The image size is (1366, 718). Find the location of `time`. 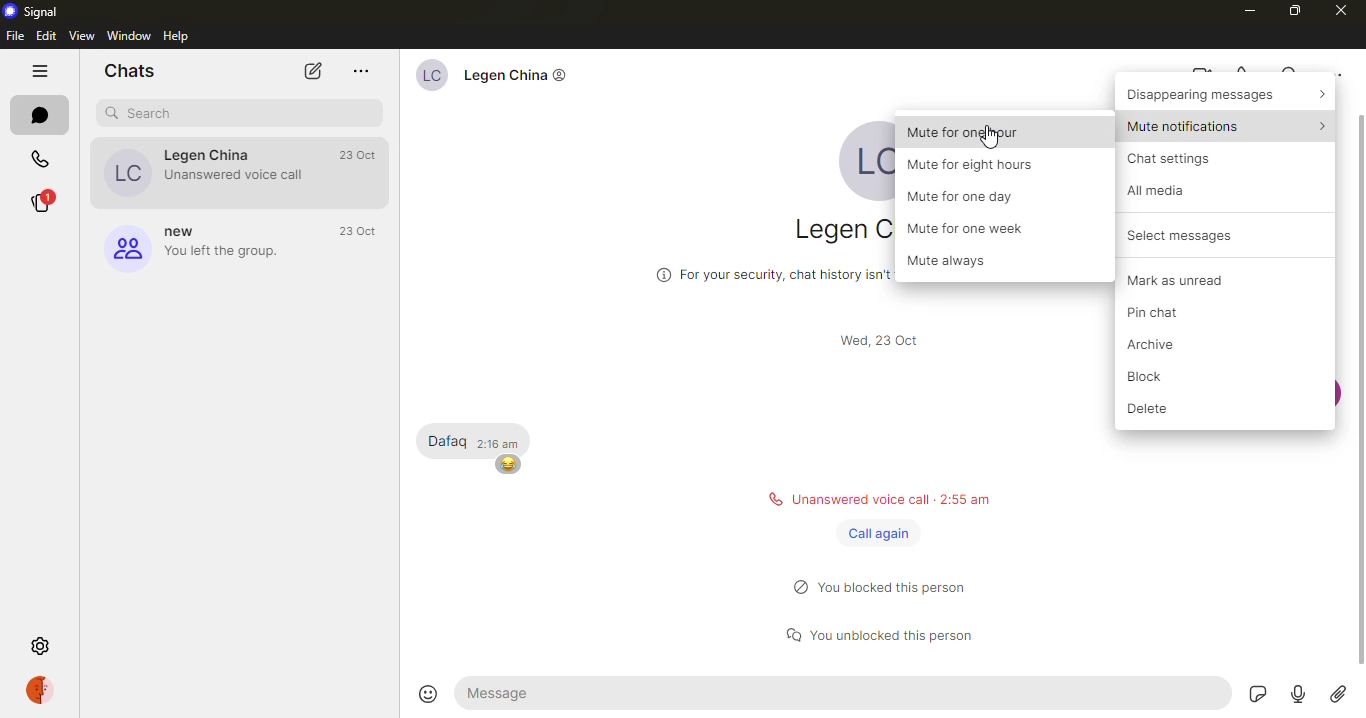

time is located at coordinates (363, 154).